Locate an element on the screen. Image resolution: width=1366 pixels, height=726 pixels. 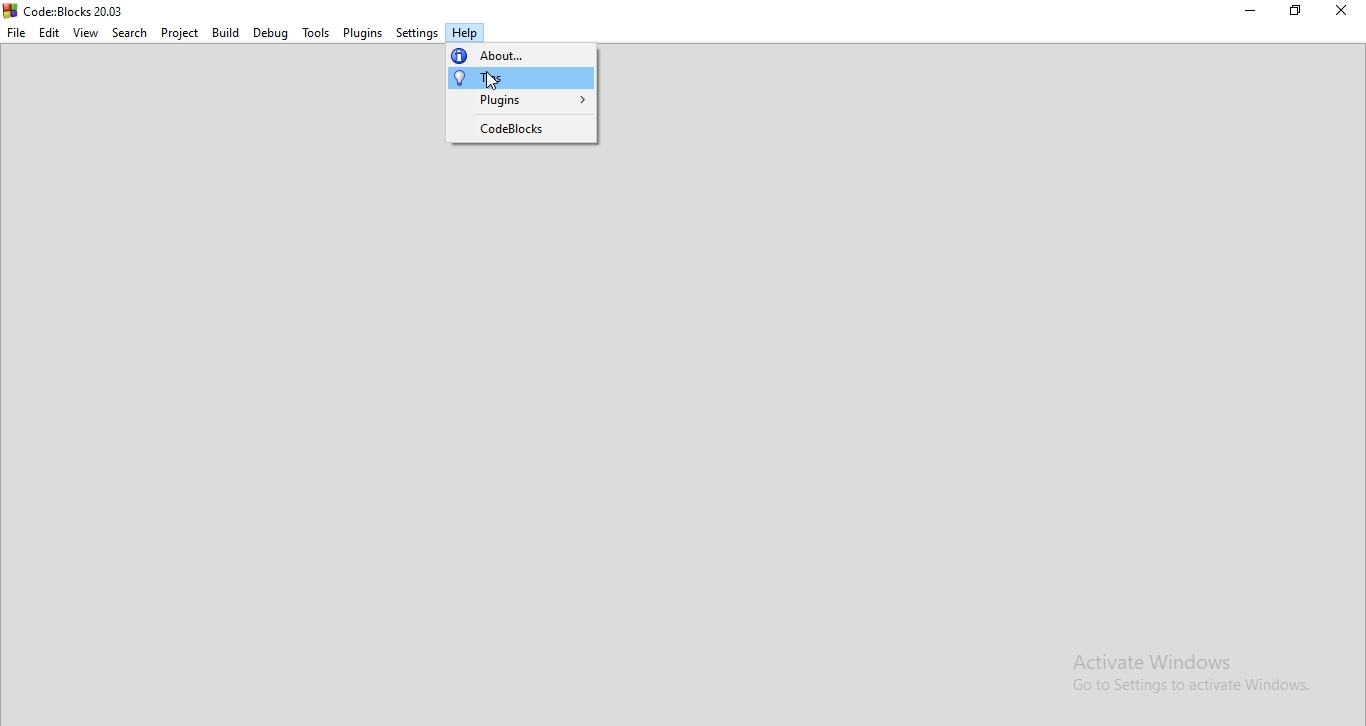
plugins is located at coordinates (521, 102).